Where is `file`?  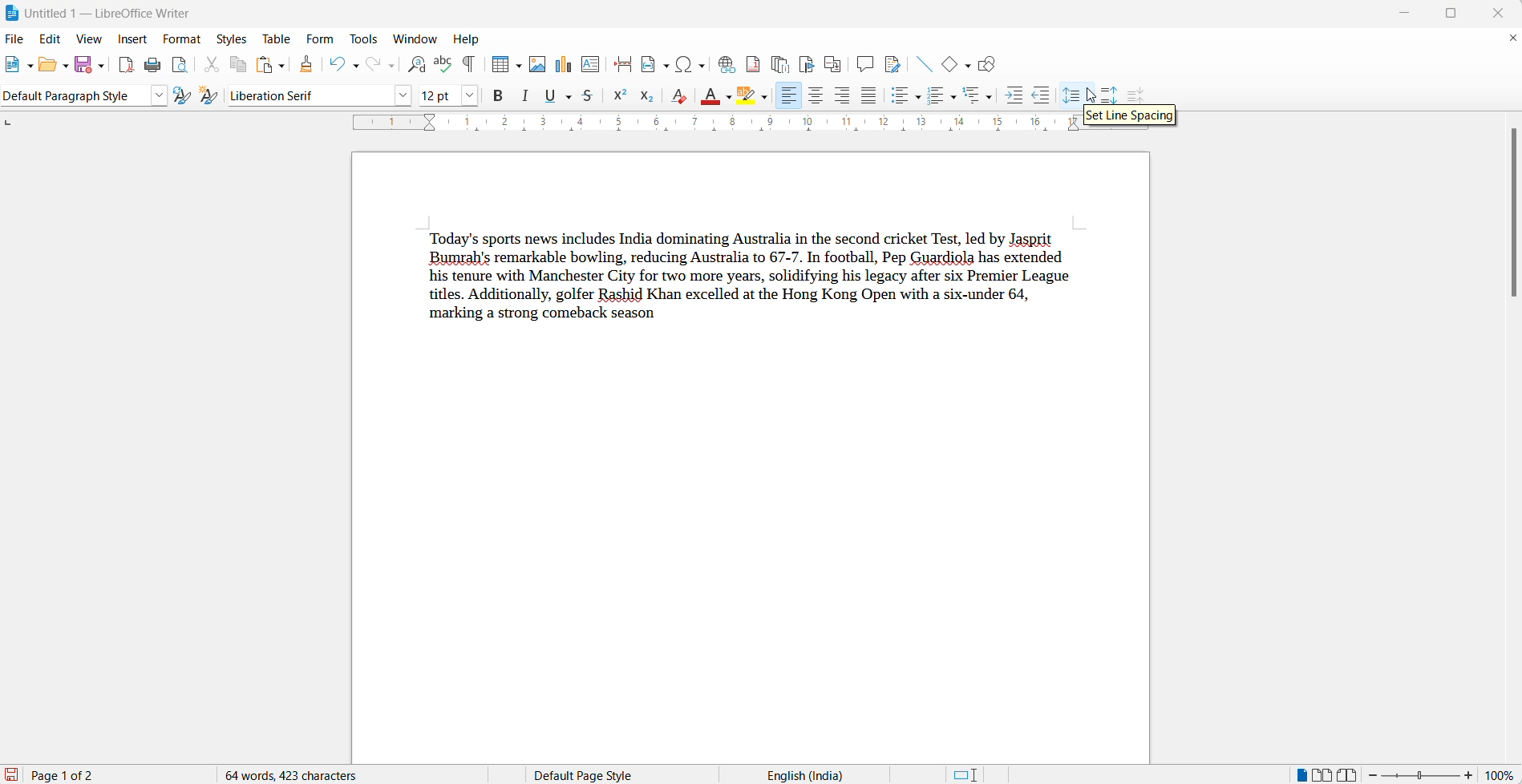 file is located at coordinates (14, 38).